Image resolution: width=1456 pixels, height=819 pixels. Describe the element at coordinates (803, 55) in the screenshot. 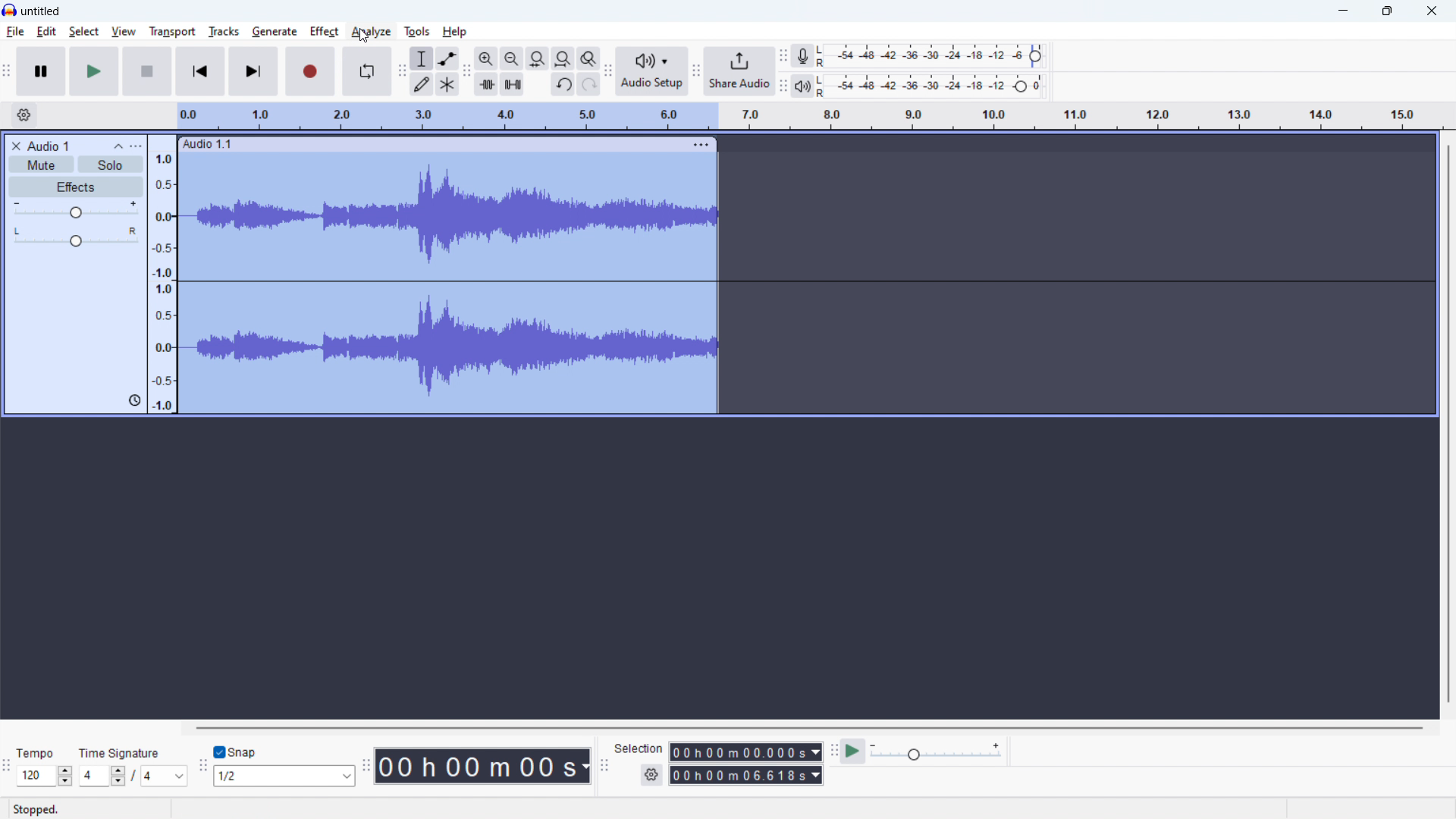

I see `recording meter` at that location.